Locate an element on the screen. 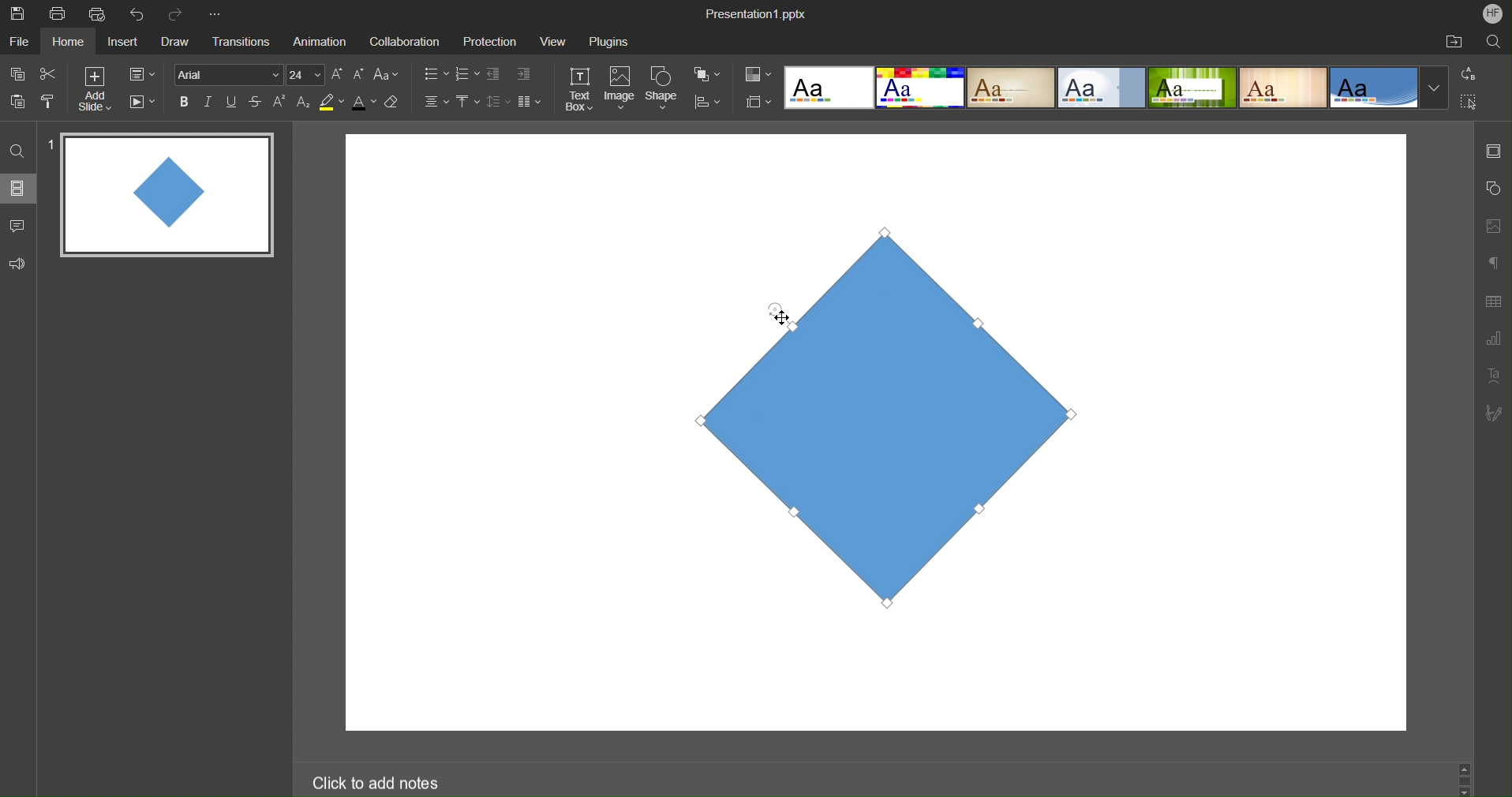  Presentation Name is located at coordinates (758, 13).